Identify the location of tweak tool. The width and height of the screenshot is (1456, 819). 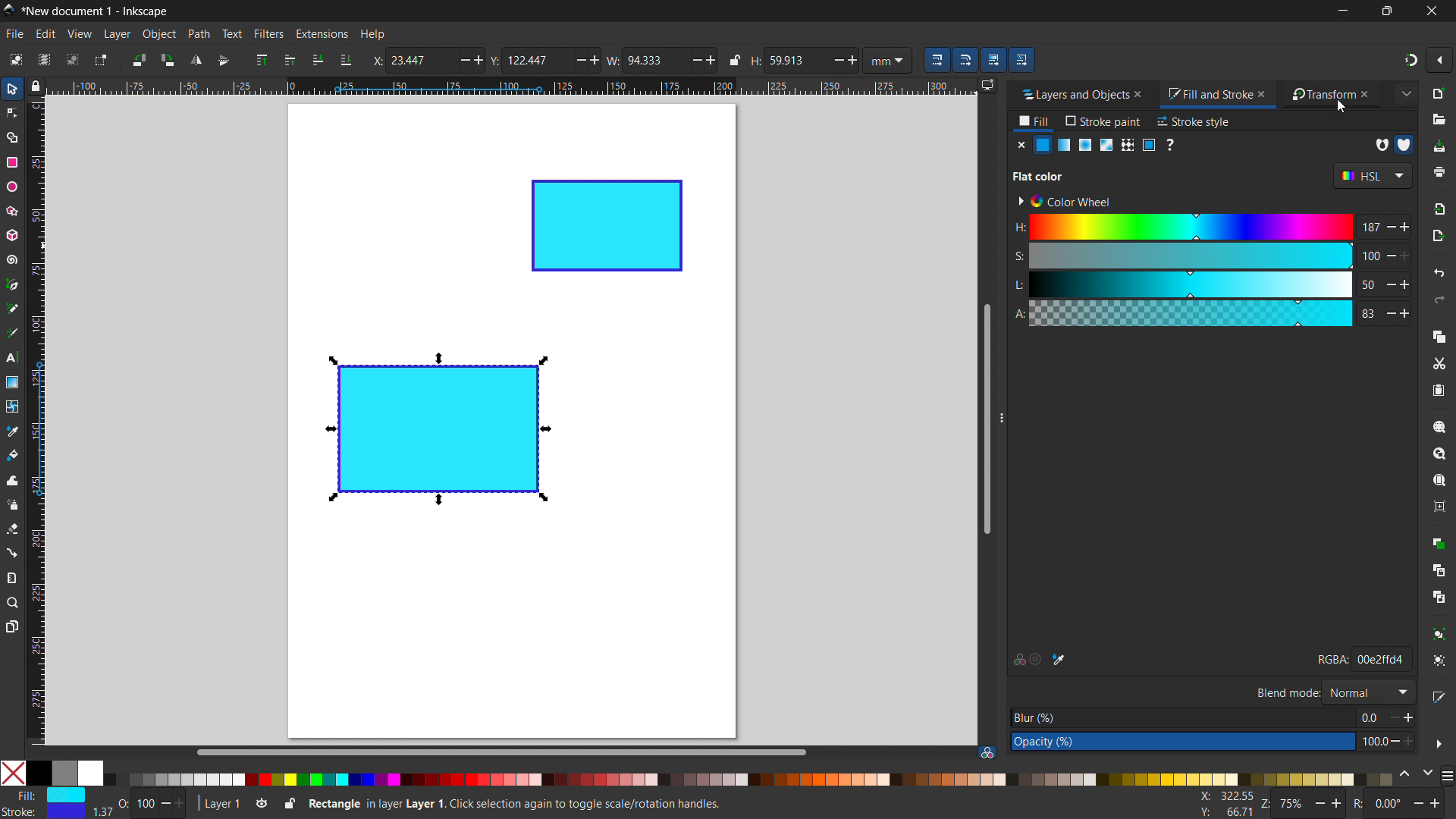
(12, 480).